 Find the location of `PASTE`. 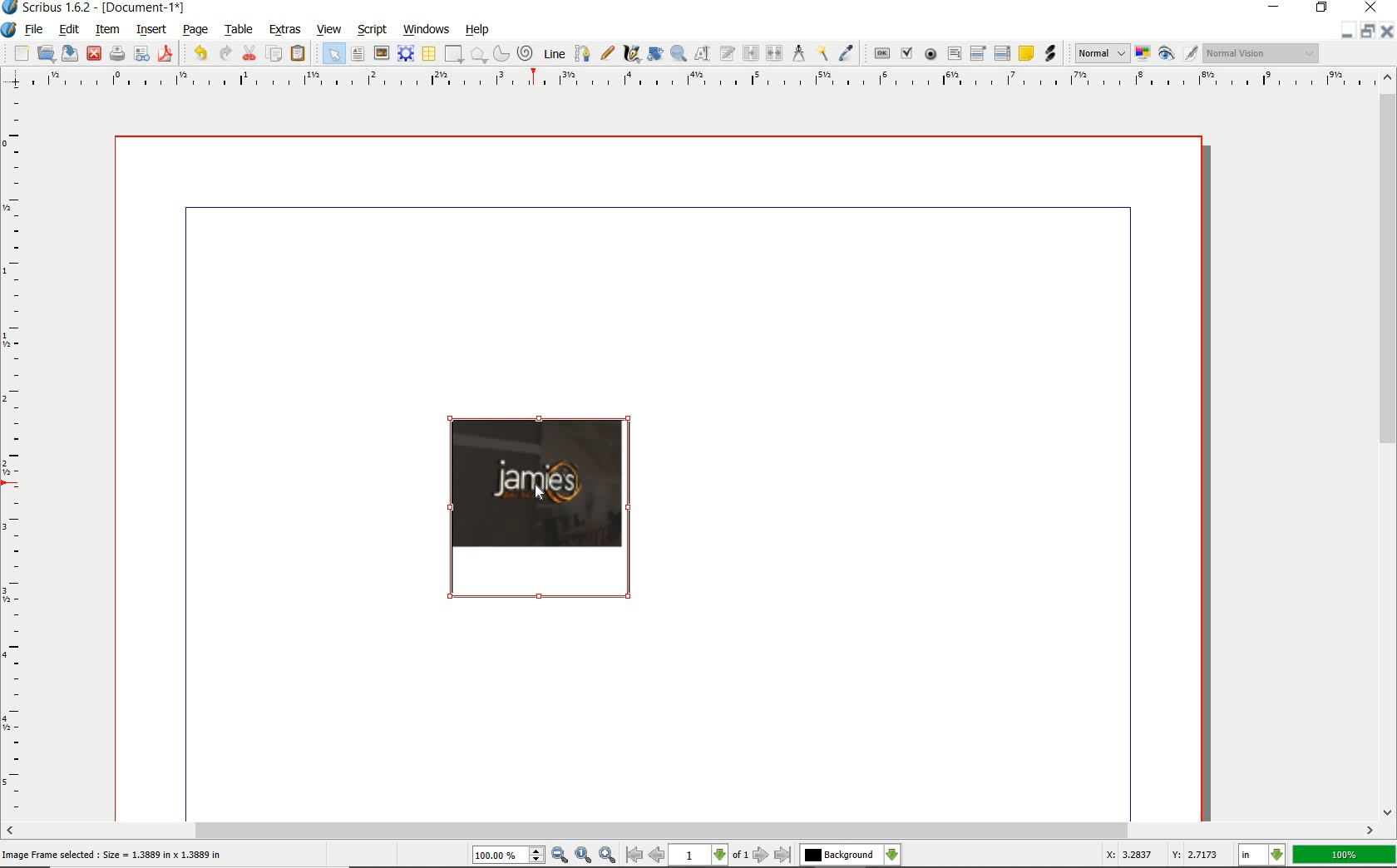

PASTE is located at coordinates (301, 53).